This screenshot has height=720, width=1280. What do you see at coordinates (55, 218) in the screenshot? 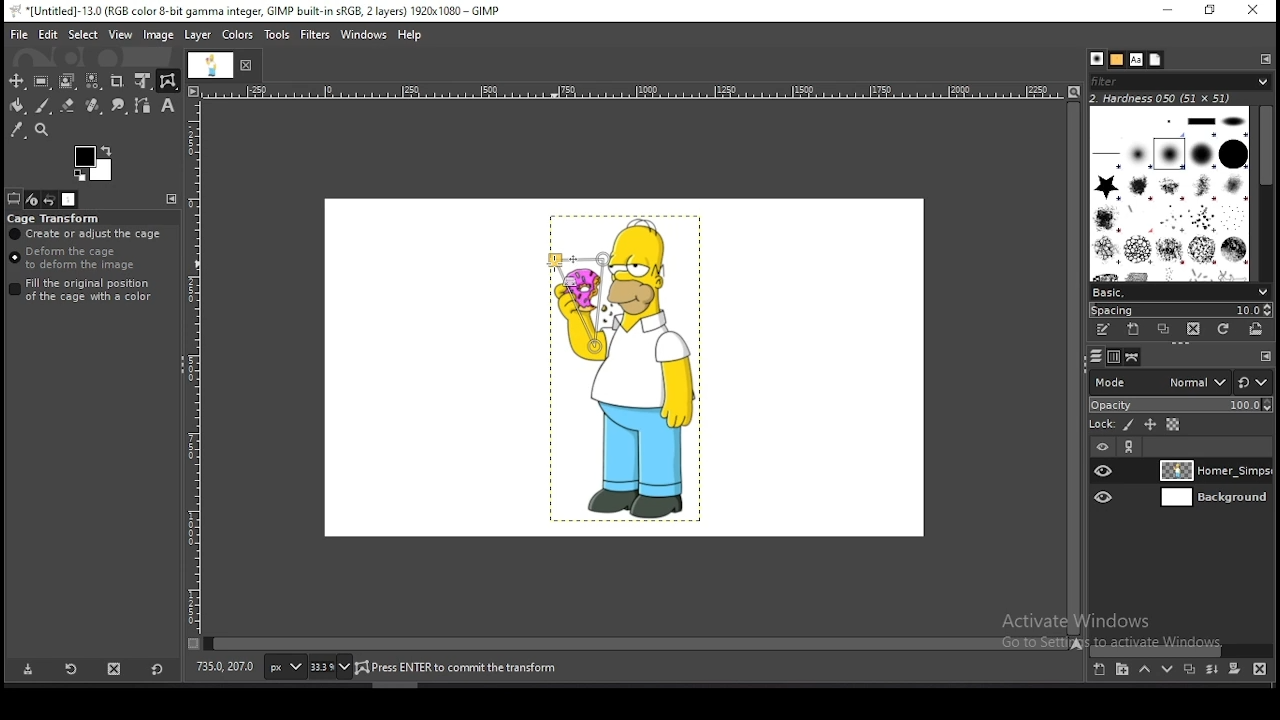
I see `cage transform` at bounding box center [55, 218].